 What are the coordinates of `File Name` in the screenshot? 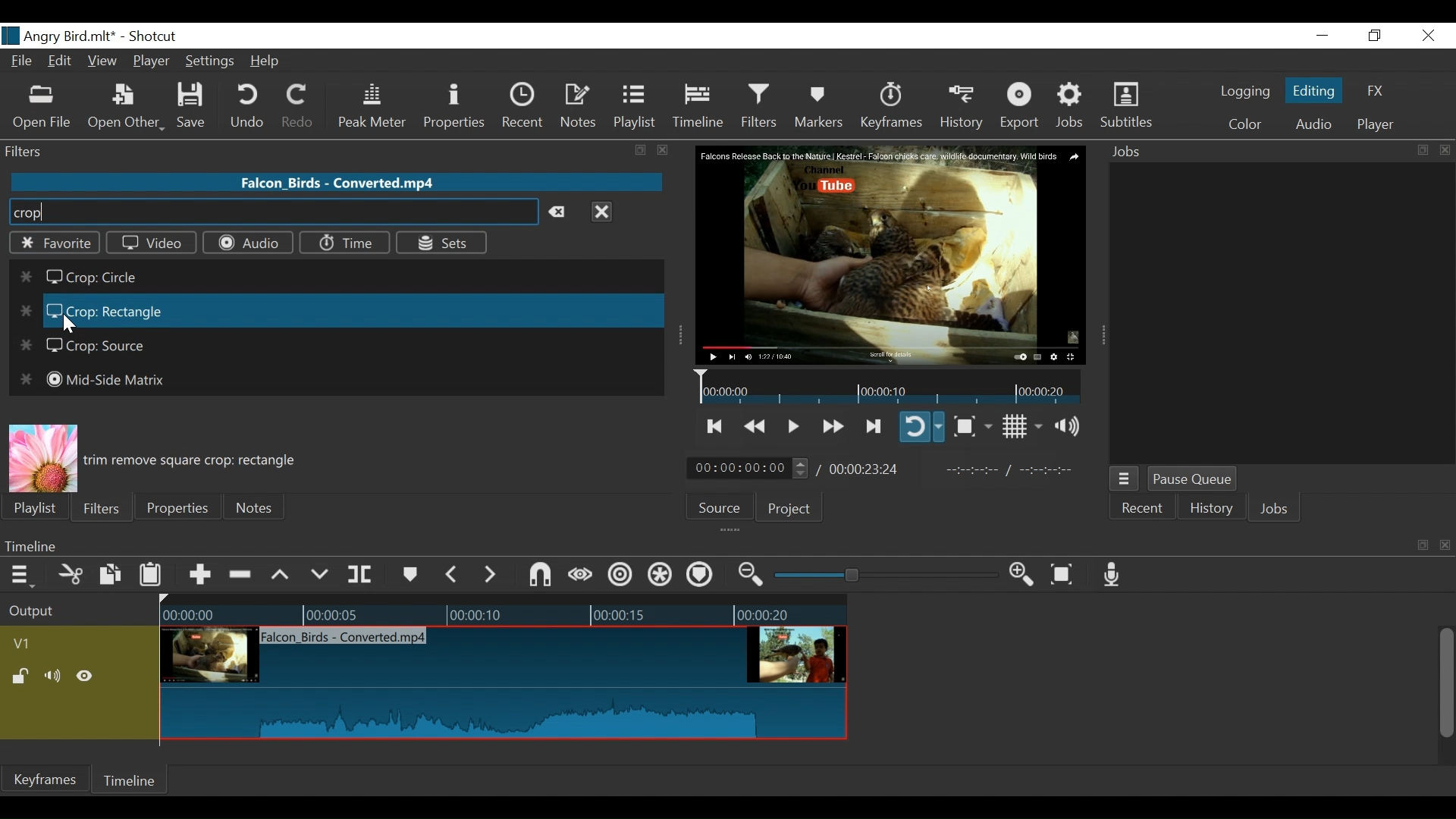 It's located at (339, 181).